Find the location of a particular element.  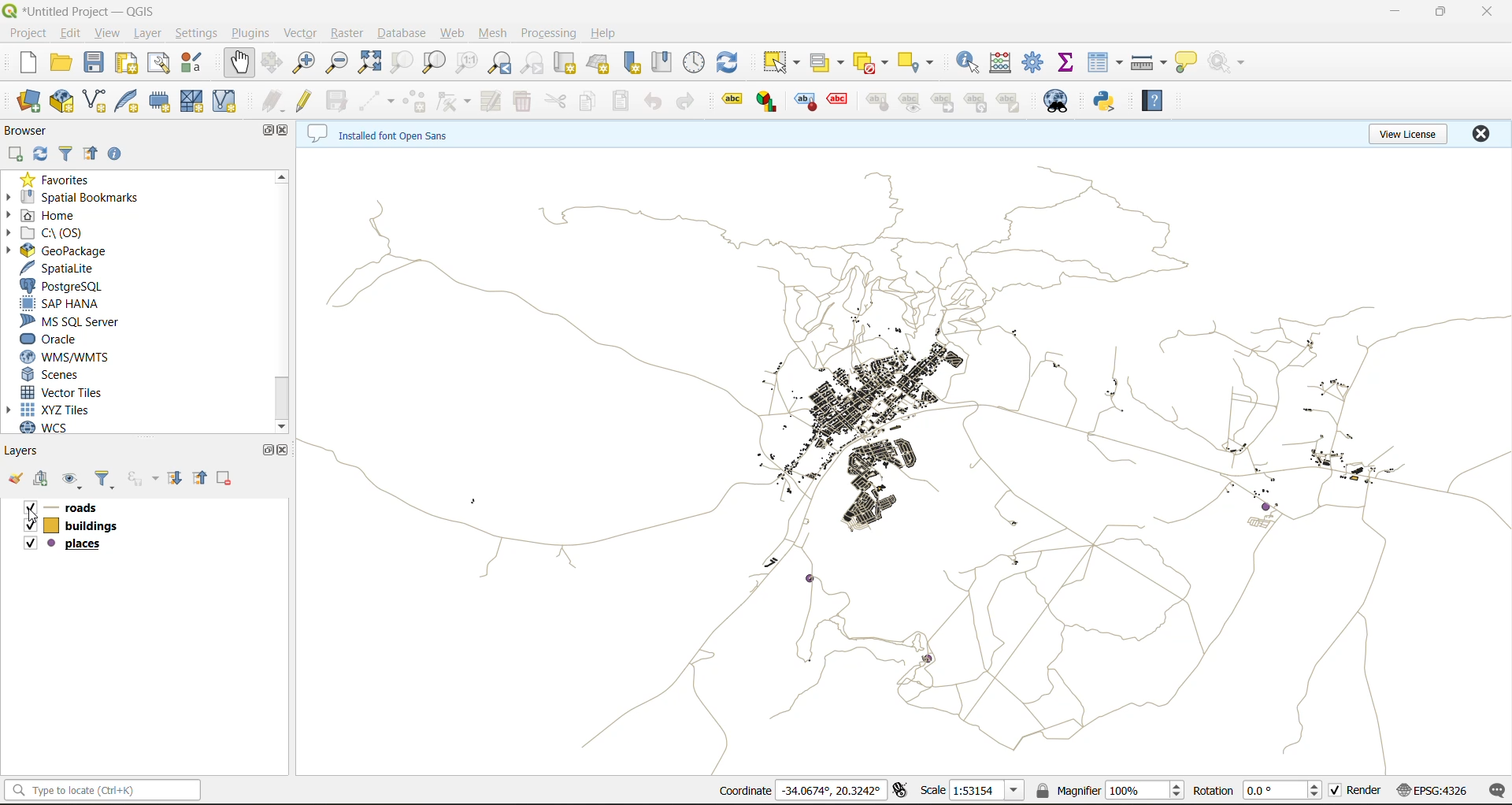

layers is located at coordinates (906, 463).